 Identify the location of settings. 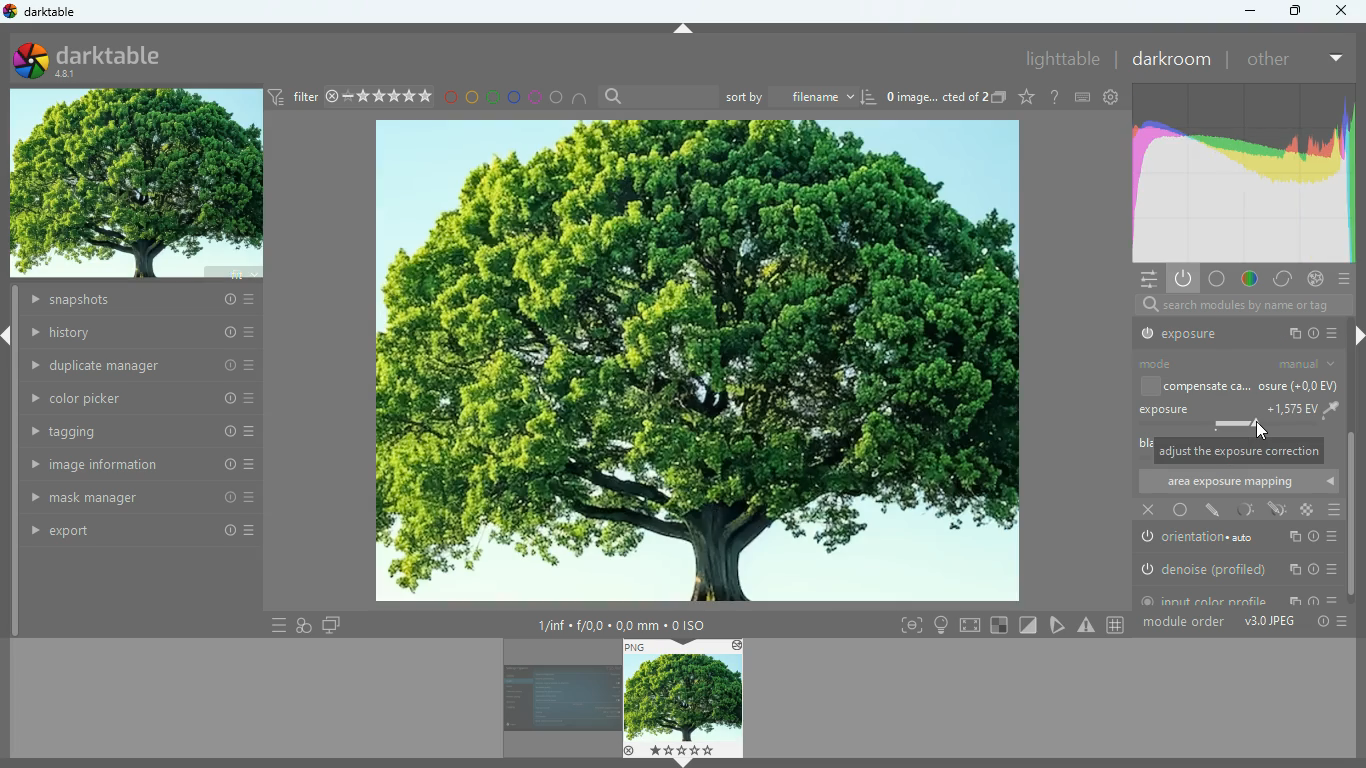
(1147, 279).